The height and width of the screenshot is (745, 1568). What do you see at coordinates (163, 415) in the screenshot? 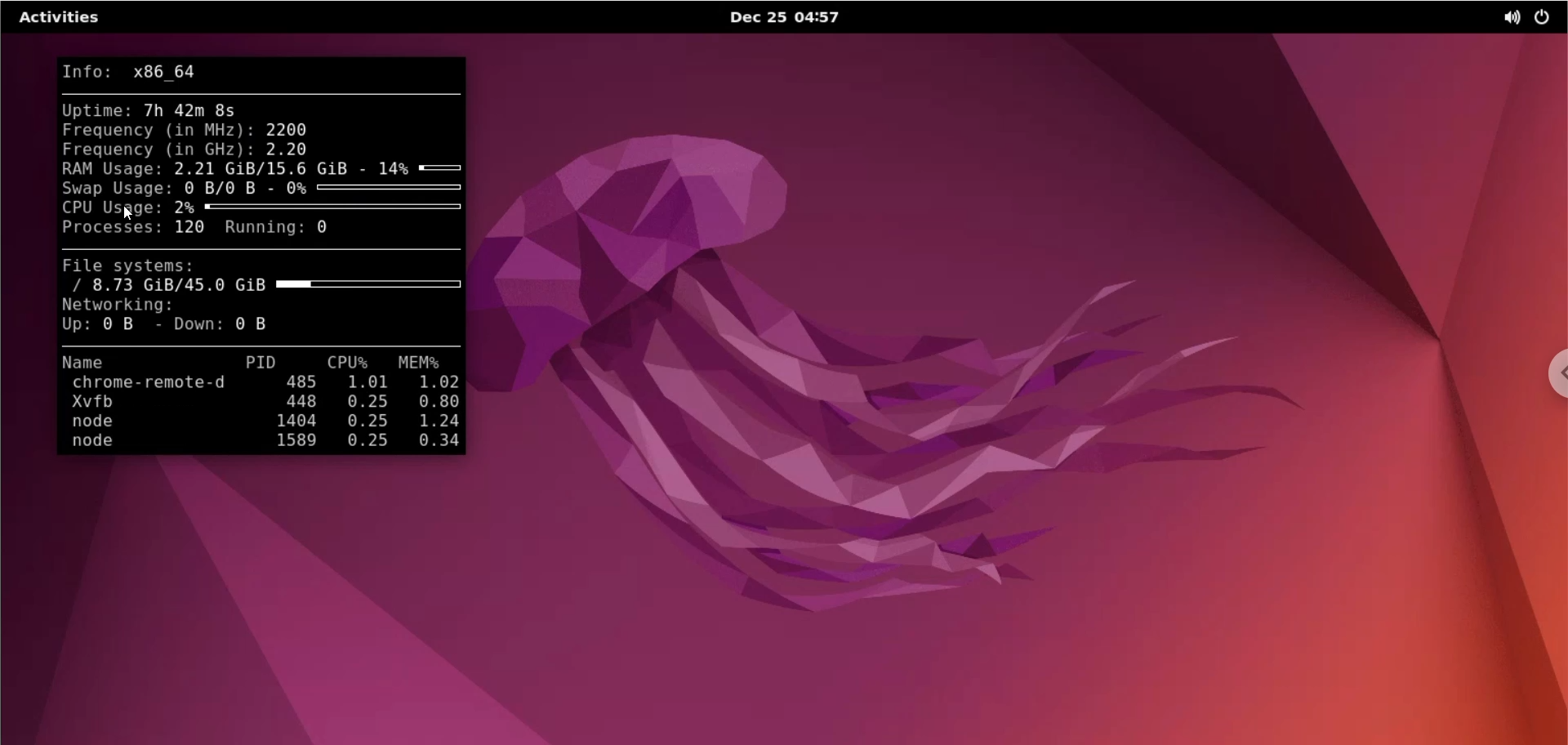
I see `processes name` at bounding box center [163, 415].